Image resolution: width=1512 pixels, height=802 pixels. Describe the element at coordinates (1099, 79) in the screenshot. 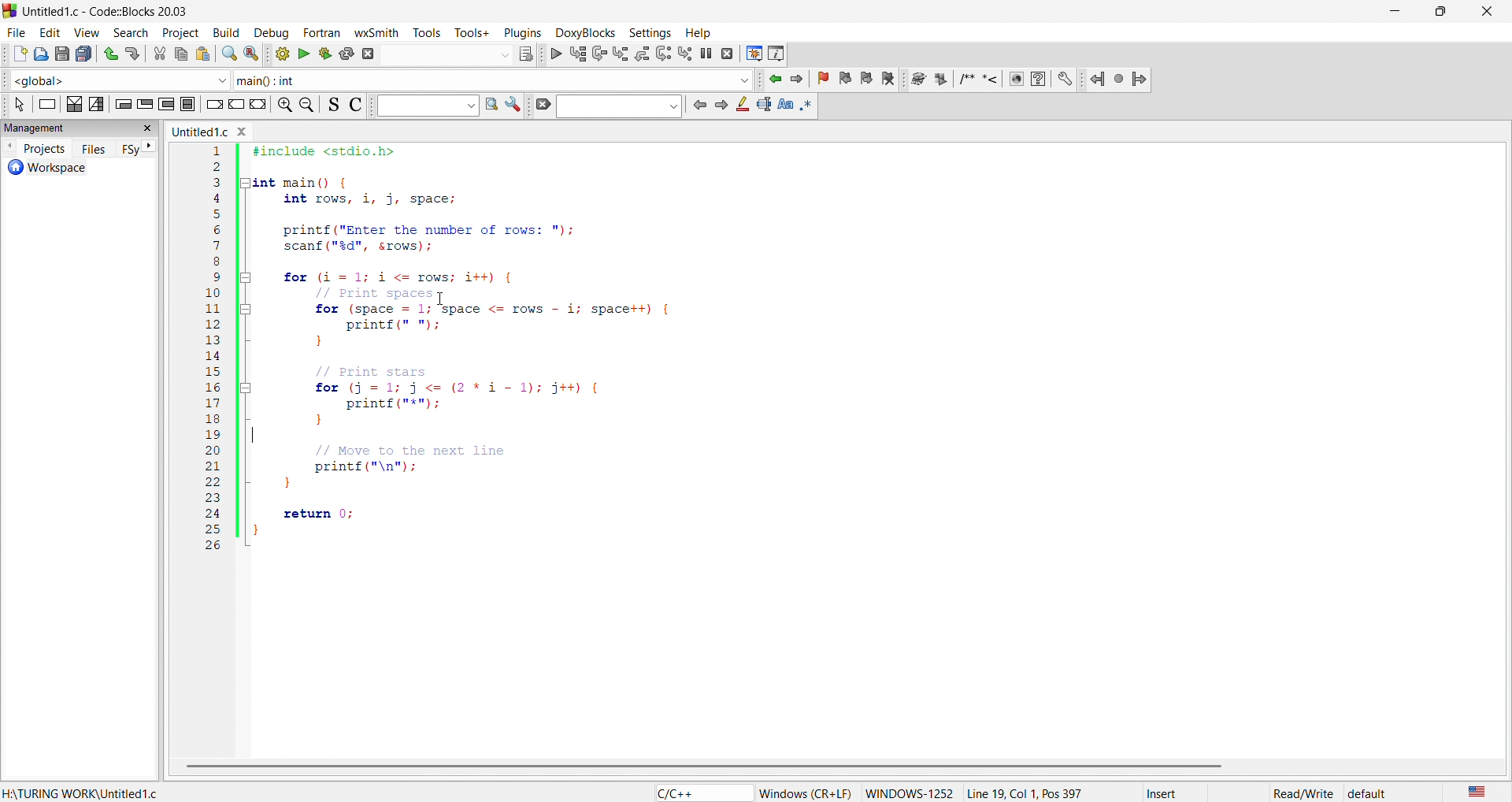

I see `jump back` at that location.